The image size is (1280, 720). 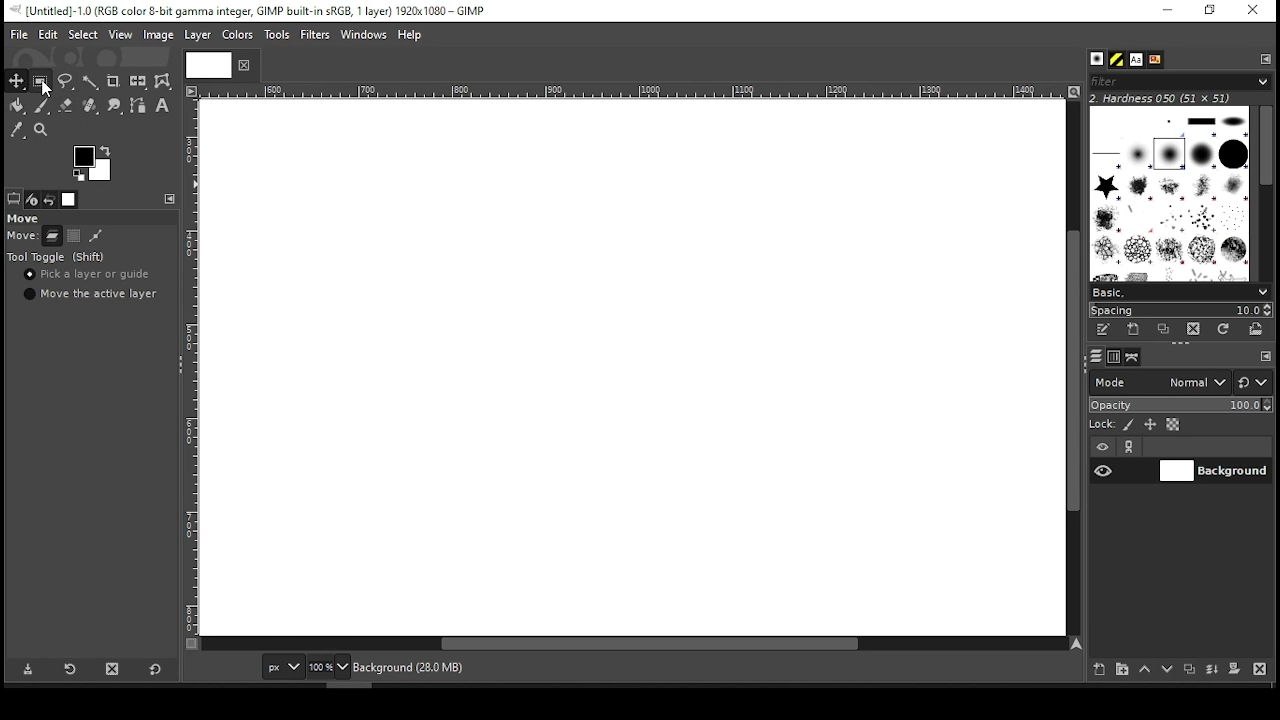 What do you see at coordinates (30, 668) in the screenshot?
I see `save tool preset` at bounding box center [30, 668].